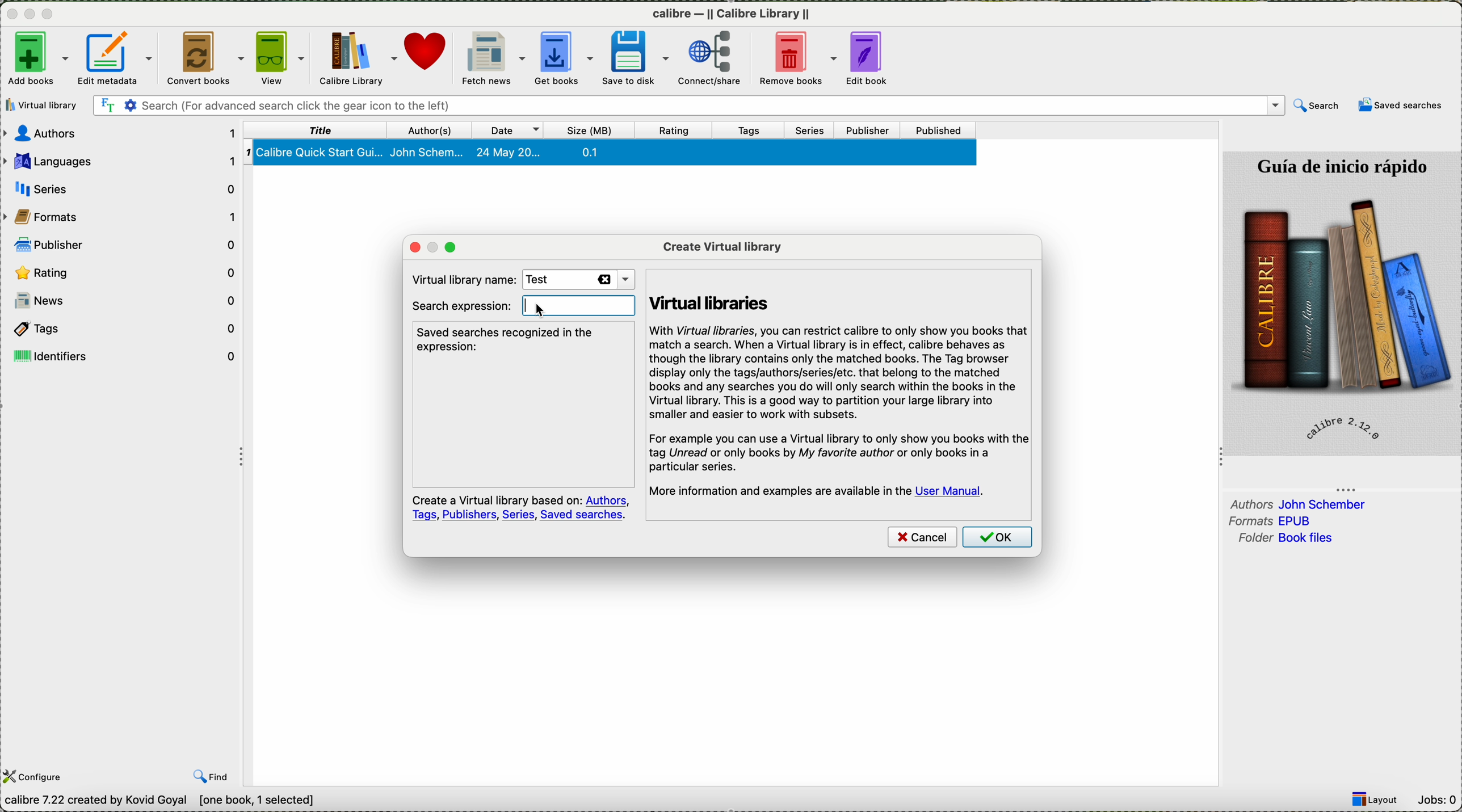 The image size is (1462, 812). I want to click on fletch news, so click(490, 58).